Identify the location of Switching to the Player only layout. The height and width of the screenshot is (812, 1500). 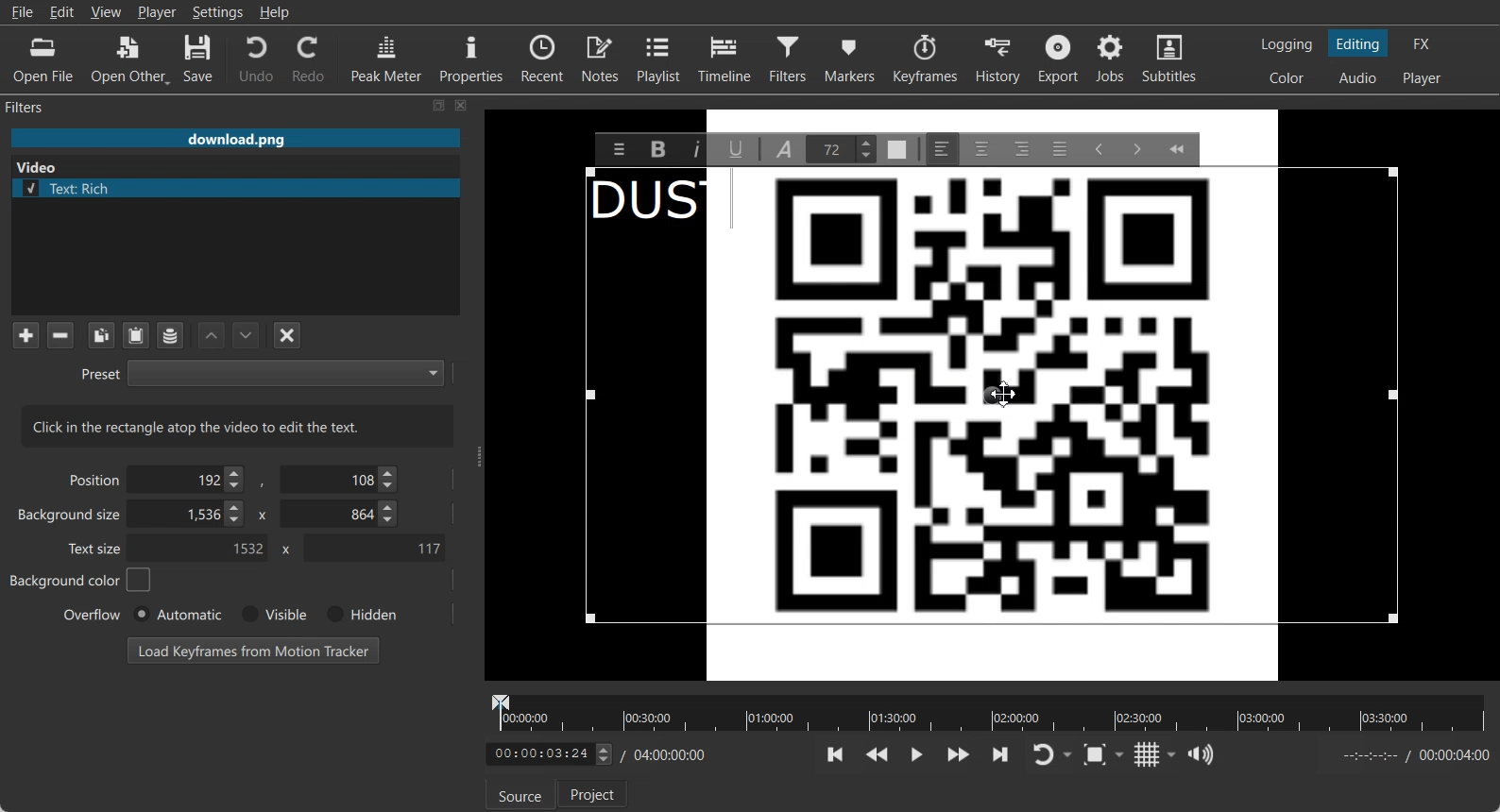
(1423, 78).